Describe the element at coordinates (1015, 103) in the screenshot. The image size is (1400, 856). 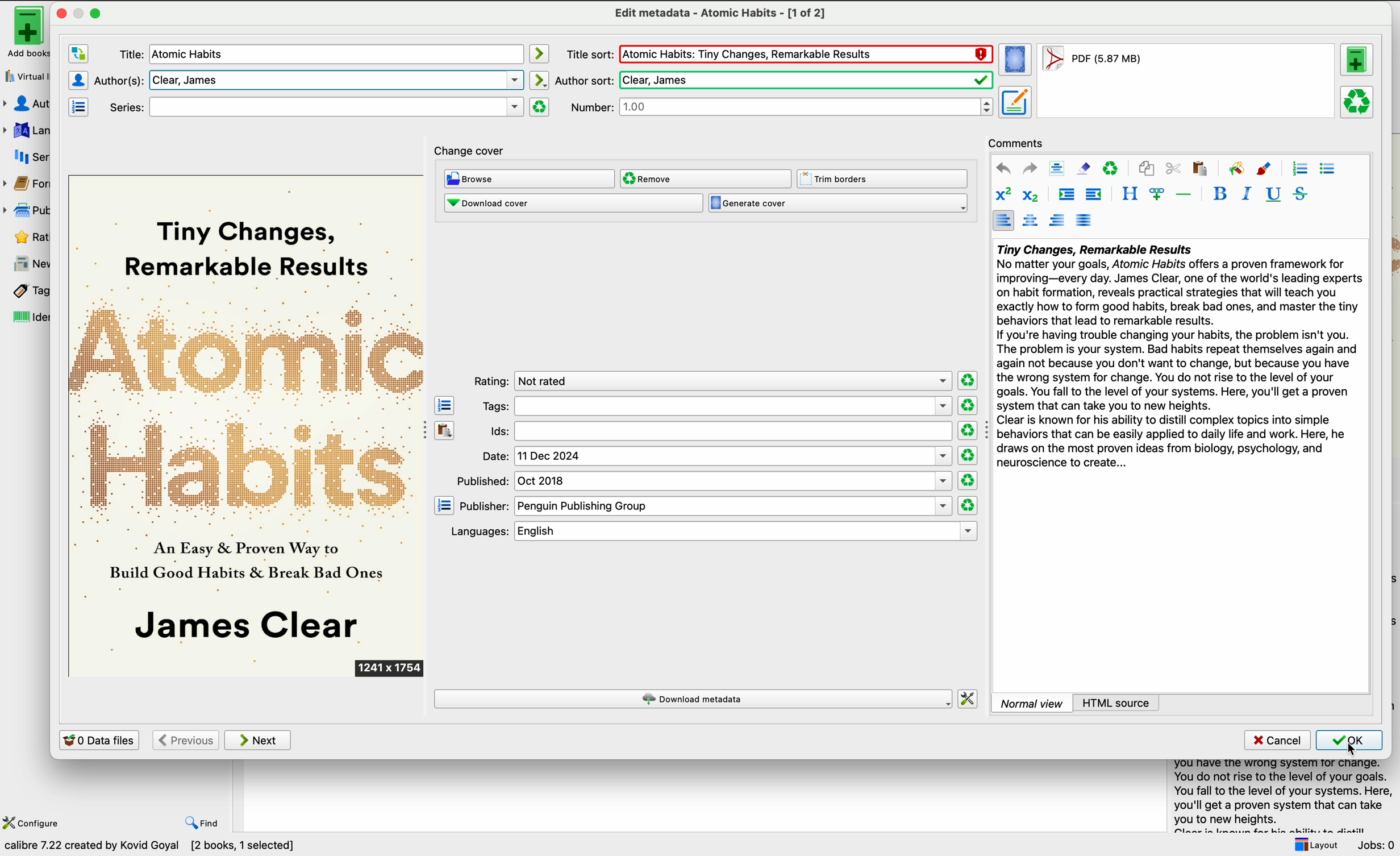
I see `set metadata for the book from the selected format` at that location.